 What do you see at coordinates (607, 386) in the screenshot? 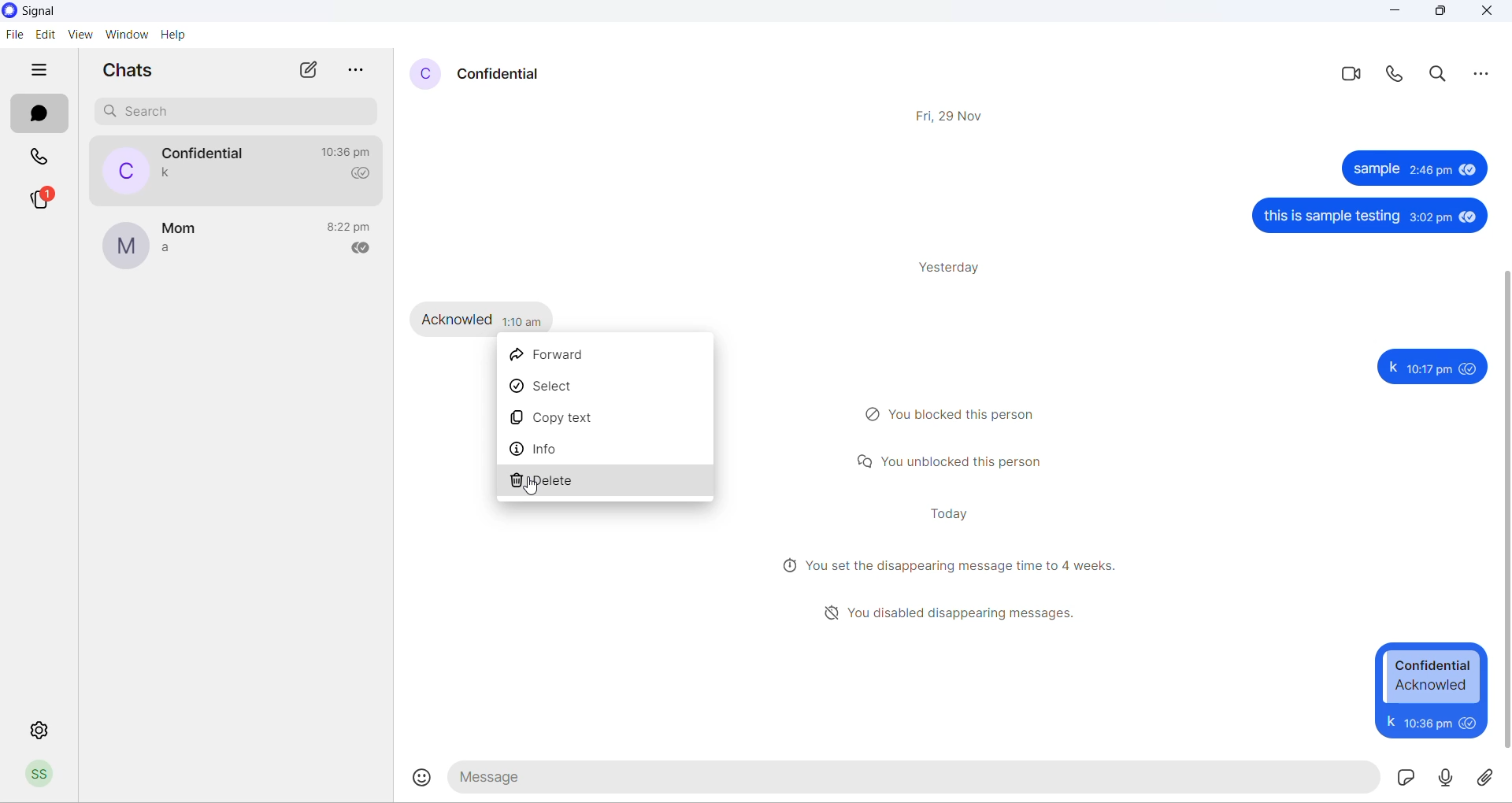
I see `select` at bounding box center [607, 386].